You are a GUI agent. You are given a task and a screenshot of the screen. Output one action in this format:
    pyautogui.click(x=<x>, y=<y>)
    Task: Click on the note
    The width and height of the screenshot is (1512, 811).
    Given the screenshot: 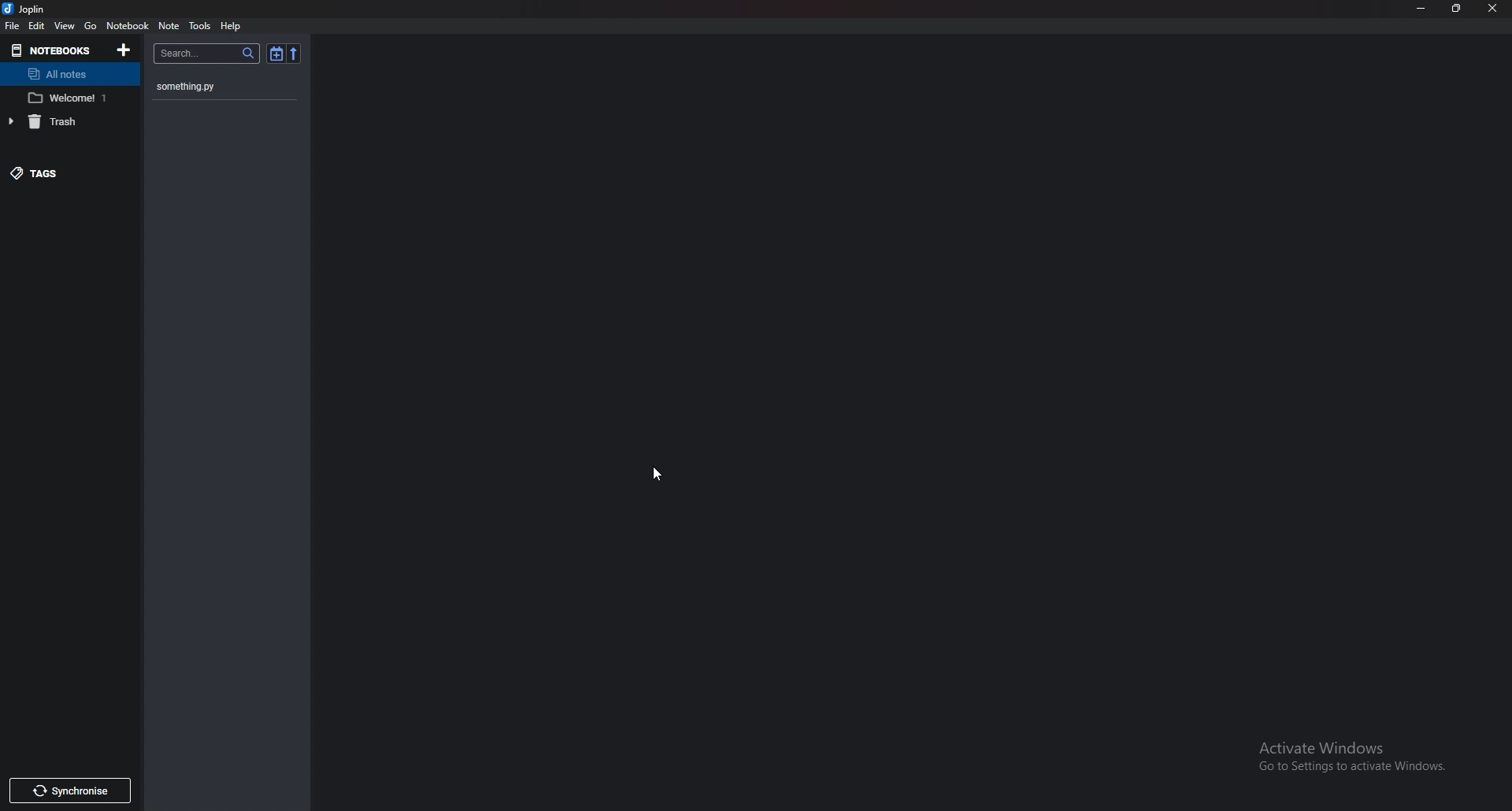 What is the action you would take?
    pyautogui.click(x=169, y=24)
    